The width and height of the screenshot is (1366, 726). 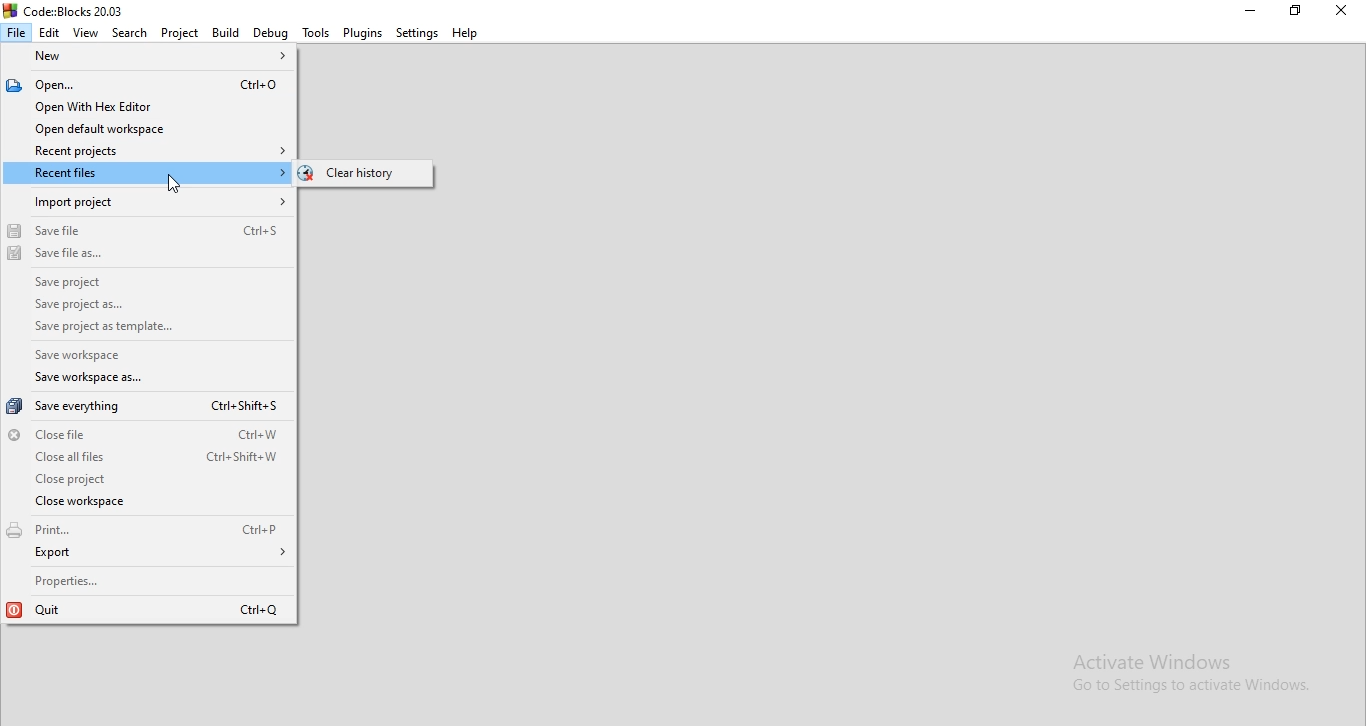 I want to click on View , so click(x=85, y=32).